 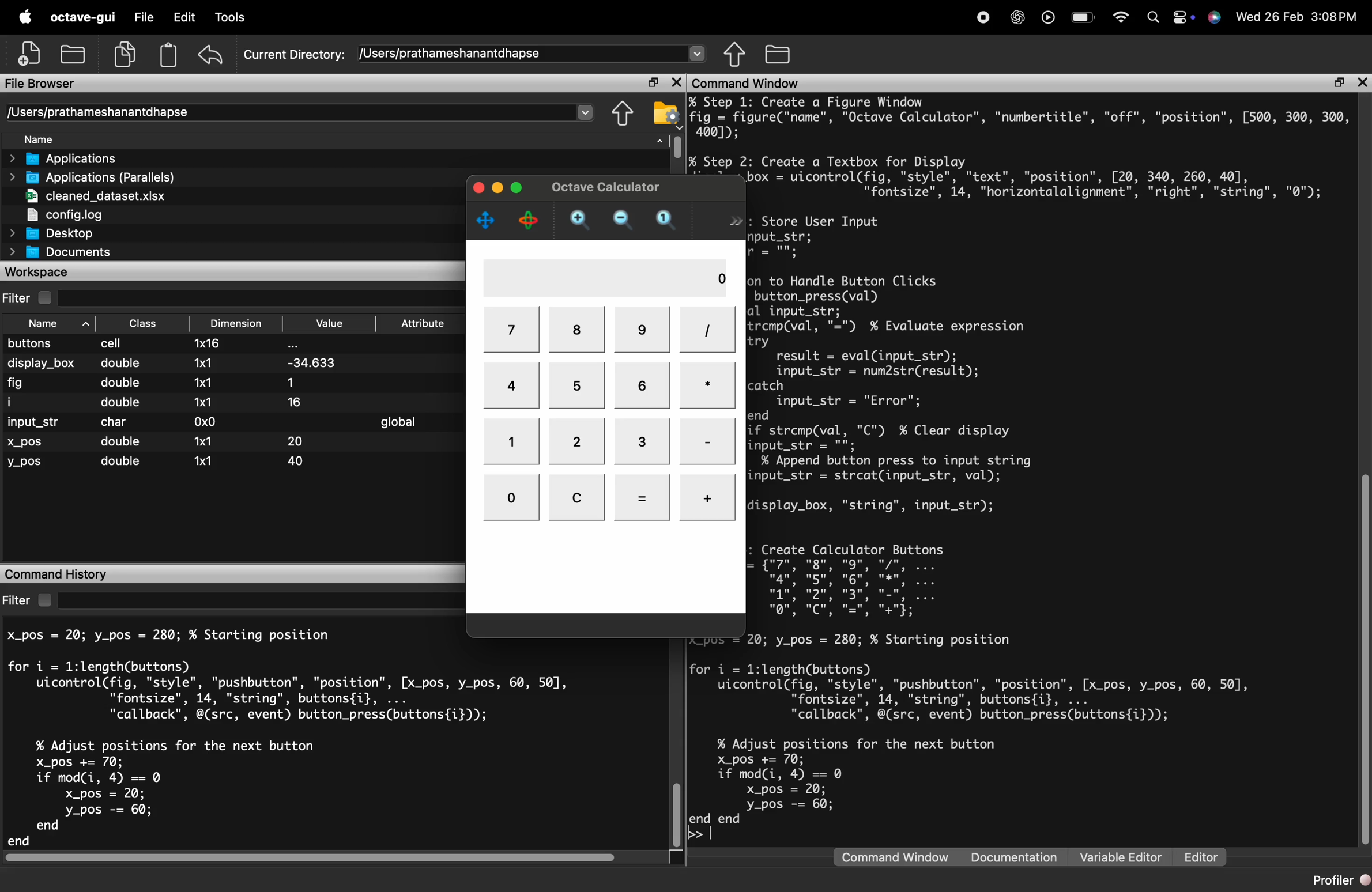 What do you see at coordinates (289, 382) in the screenshot?
I see `1` at bounding box center [289, 382].